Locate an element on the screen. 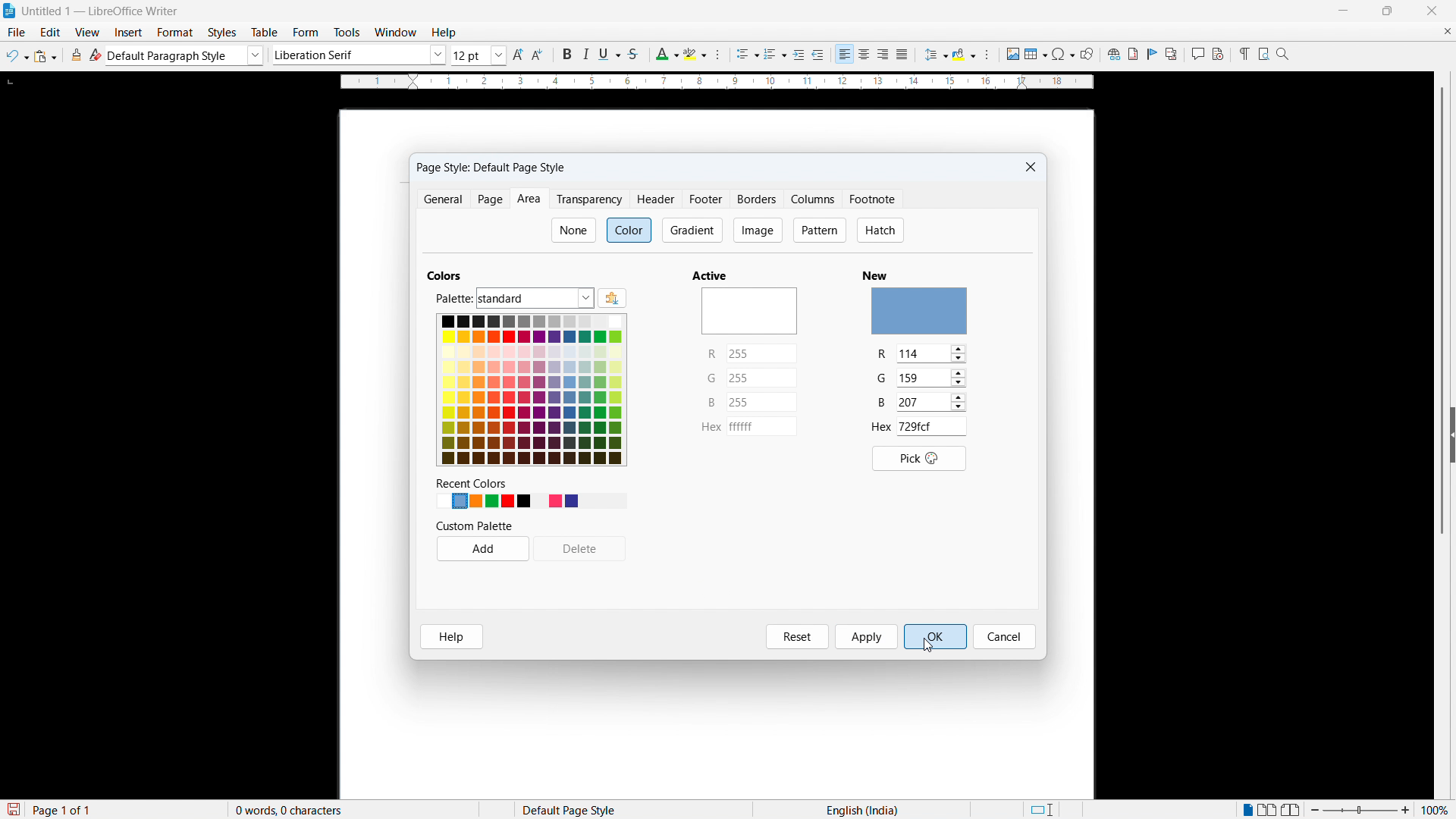  save  is located at coordinates (12, 810).